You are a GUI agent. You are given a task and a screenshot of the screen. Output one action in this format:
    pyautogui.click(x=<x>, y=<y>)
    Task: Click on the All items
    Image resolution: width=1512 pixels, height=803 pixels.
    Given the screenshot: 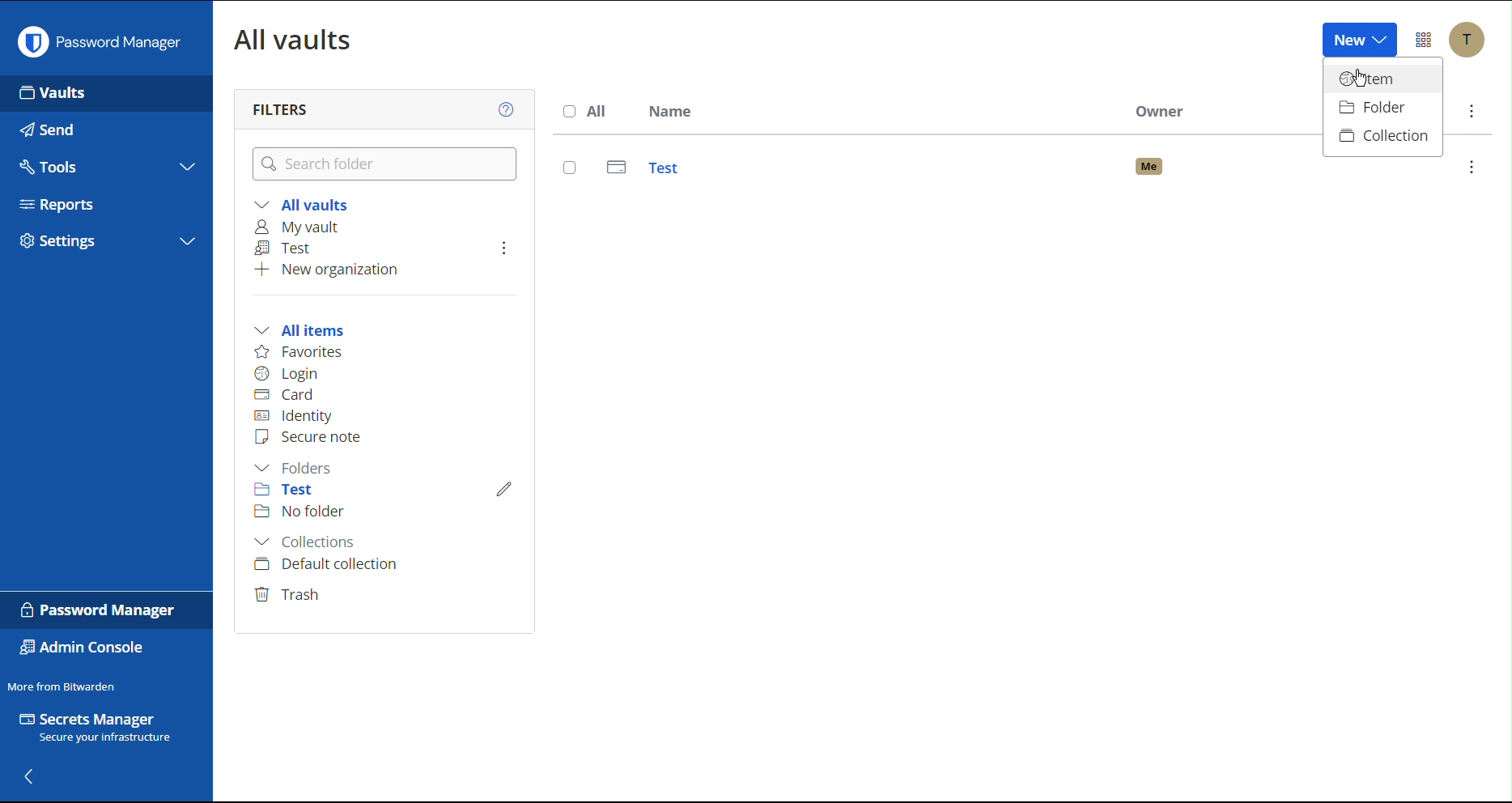 What is the action you would take?
    pyautogui.click(x=304, y=328)
    